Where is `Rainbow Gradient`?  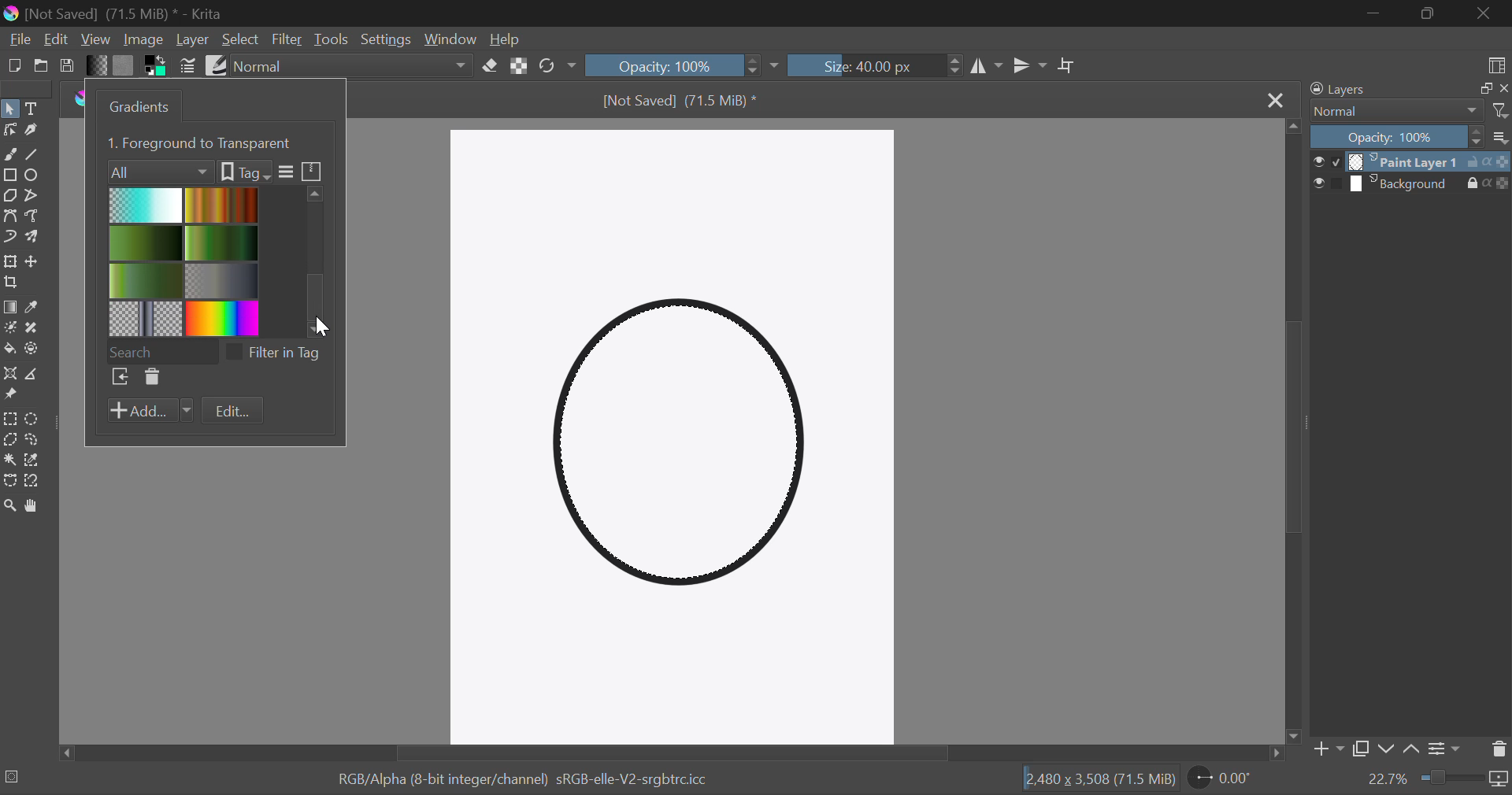 Rainbow Gradient is located at coordinates (224, 318).